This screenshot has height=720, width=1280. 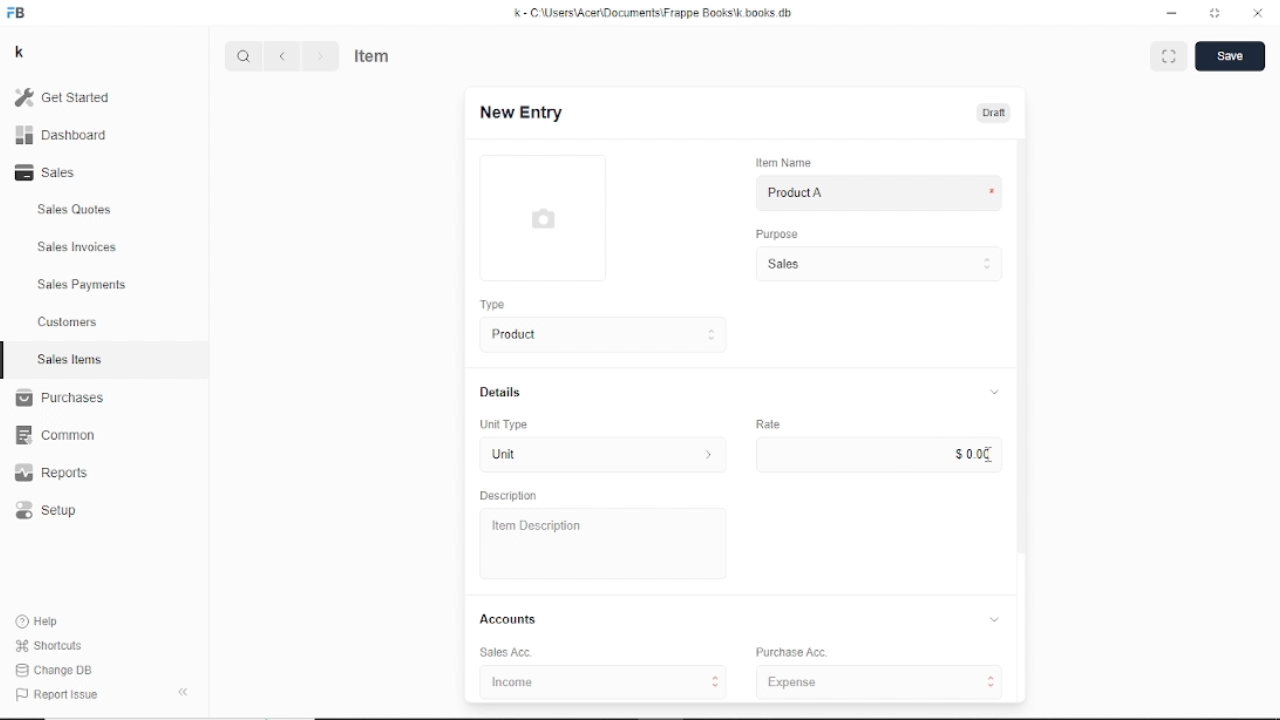 I want to click on FB, so click(x=18, y=14).